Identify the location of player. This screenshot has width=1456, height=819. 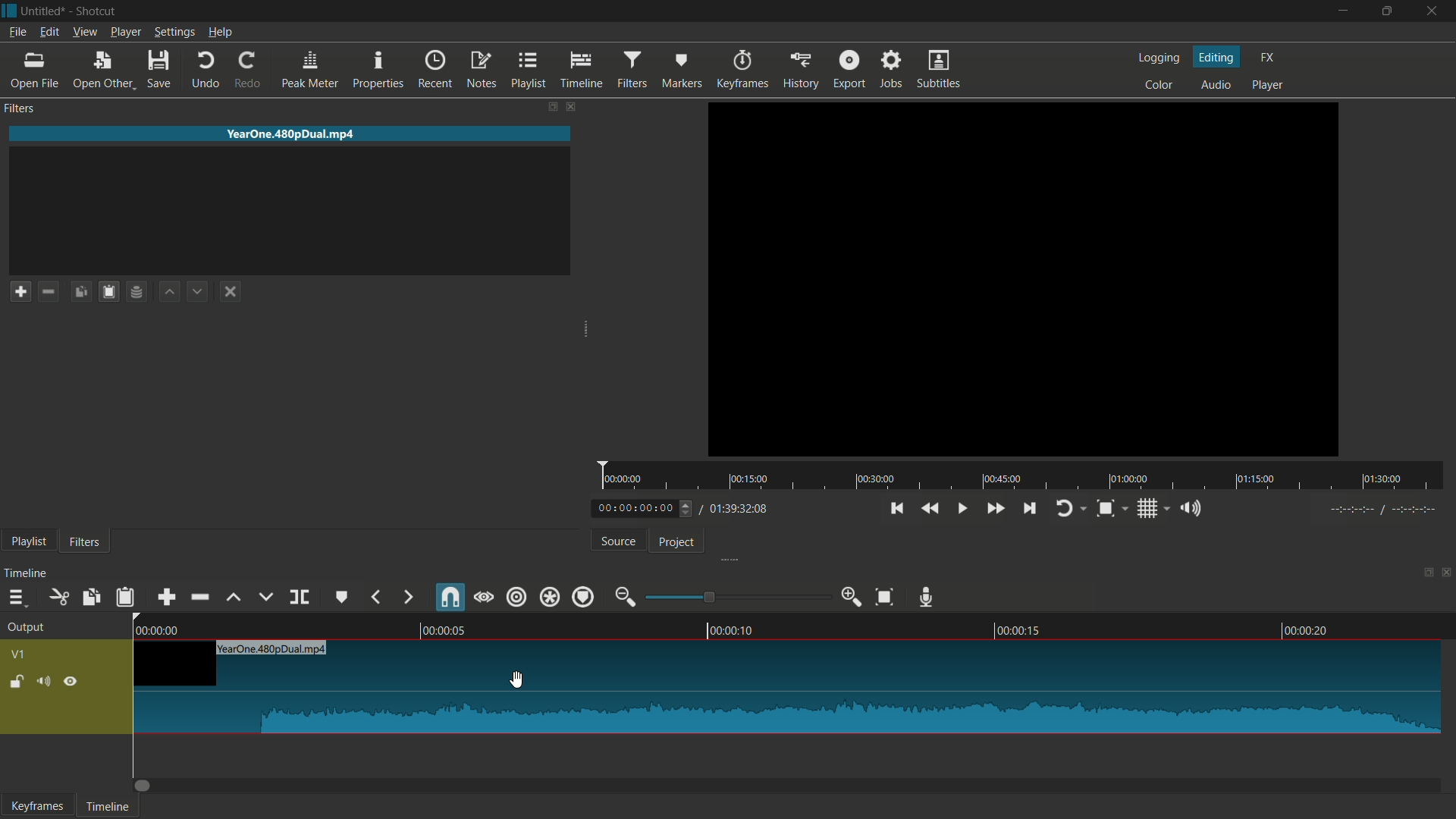
(1271, 83).